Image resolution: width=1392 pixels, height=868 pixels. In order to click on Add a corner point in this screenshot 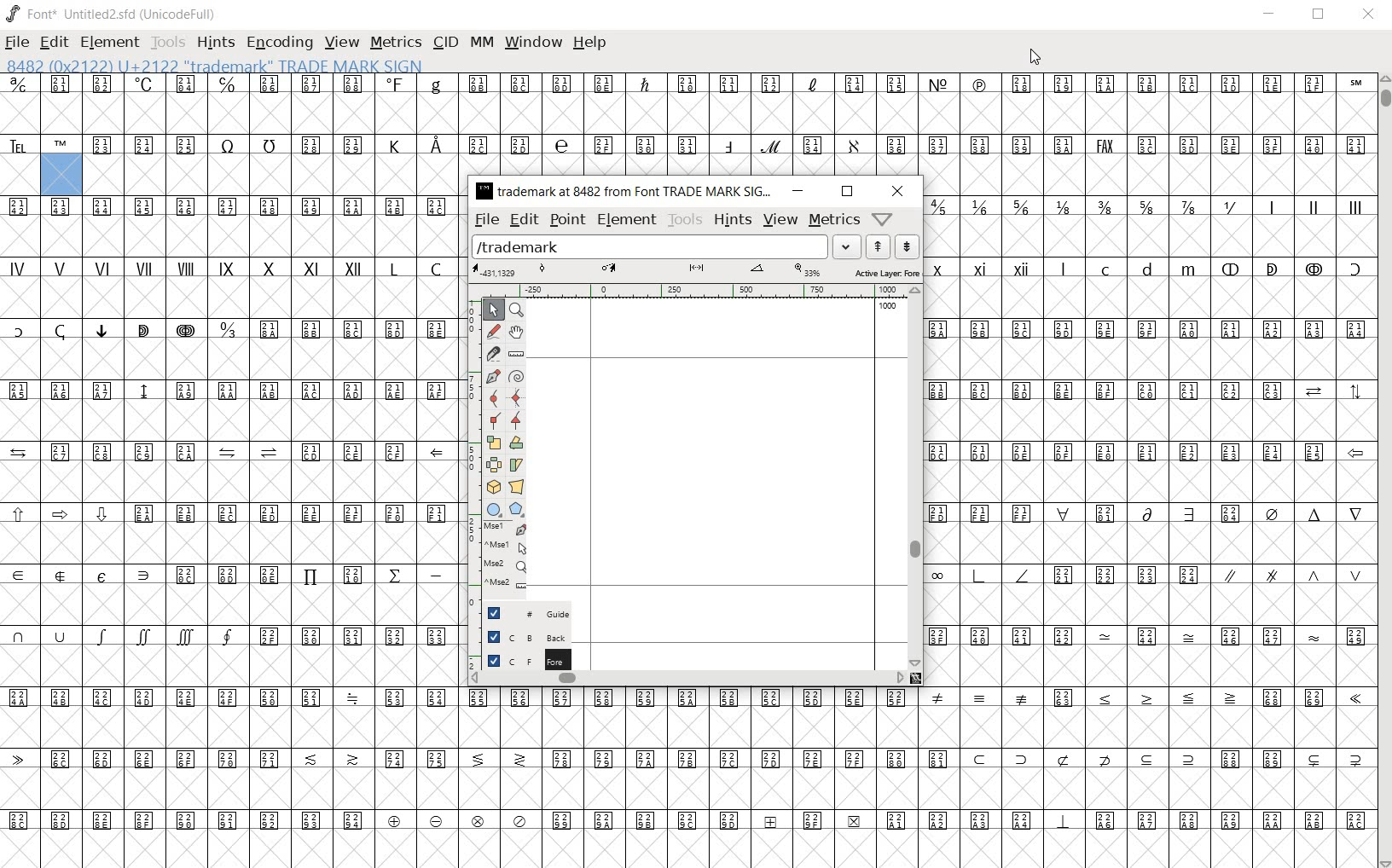, I will do `click(515, 420)`.